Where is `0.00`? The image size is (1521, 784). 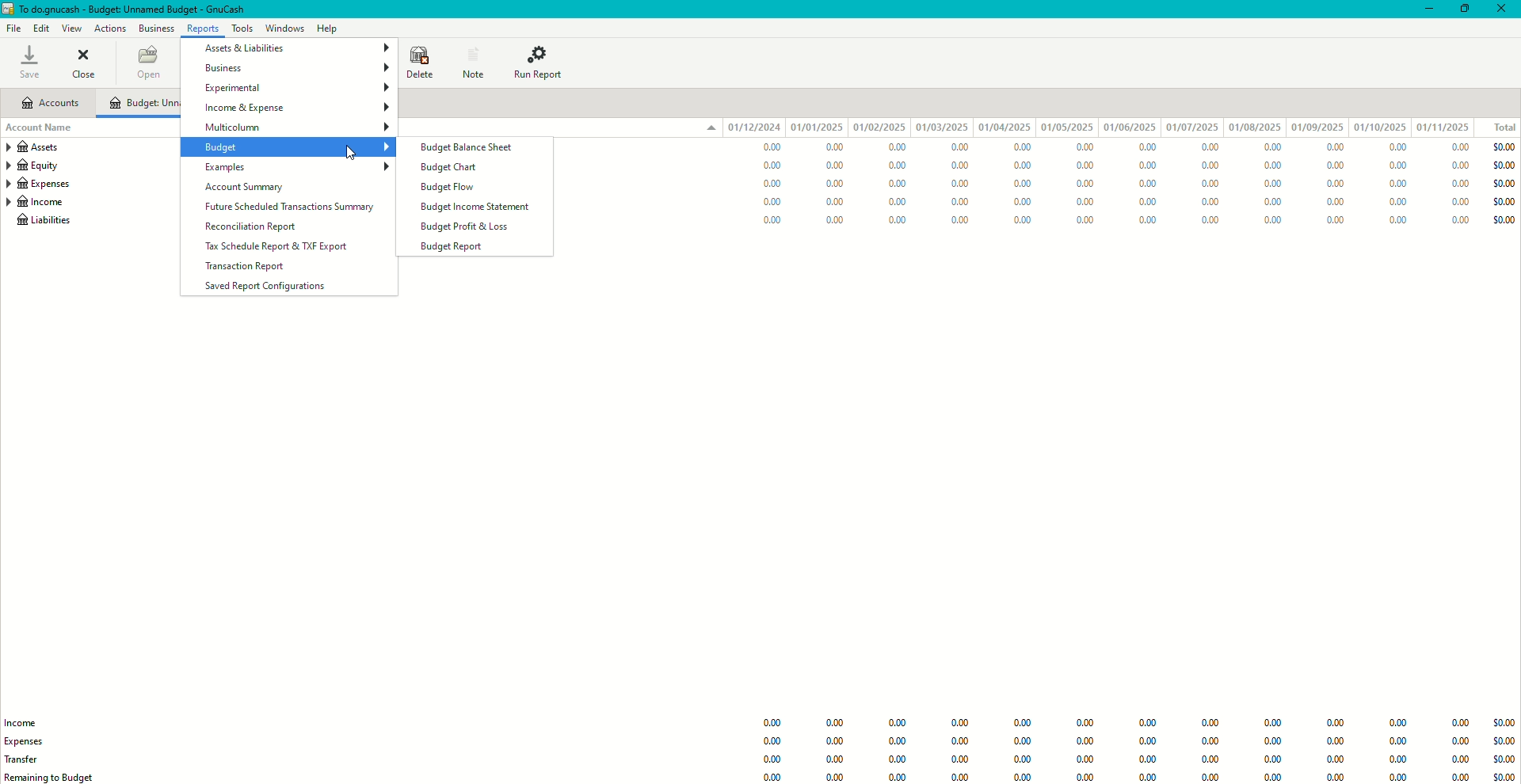 0.00 is located at coordinates (1087, 743).